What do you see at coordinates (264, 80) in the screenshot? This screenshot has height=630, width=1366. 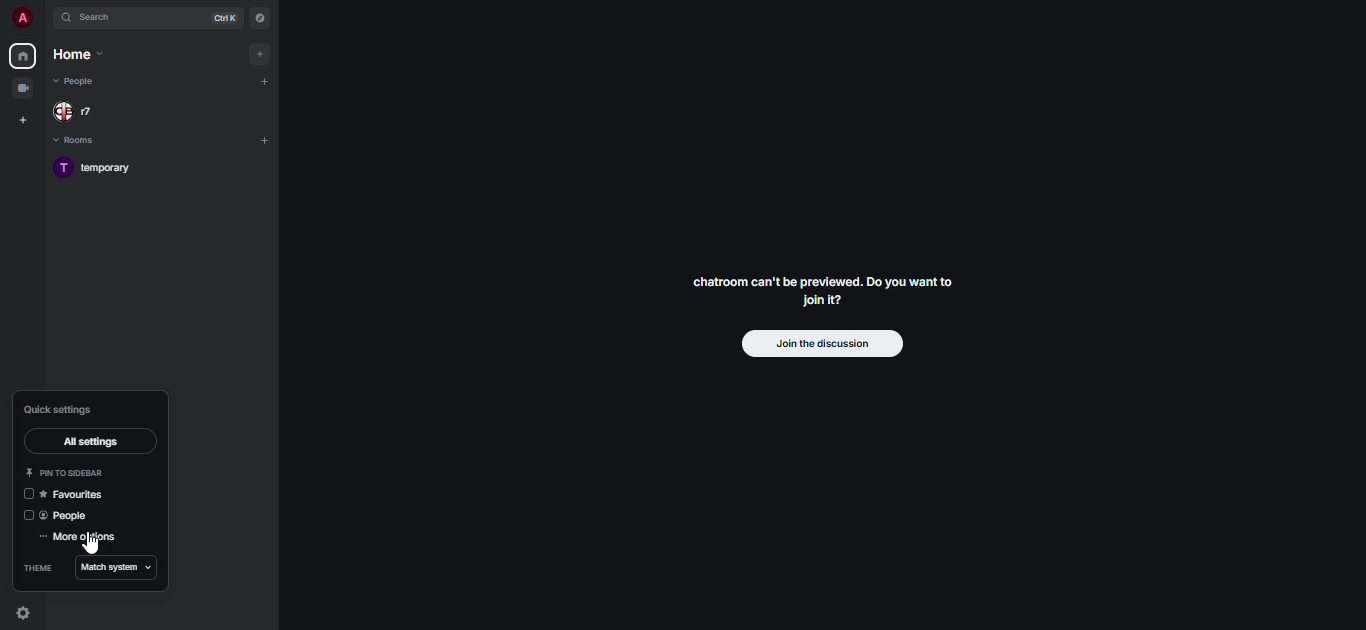 I see `add` at bounding box center [264, 80].